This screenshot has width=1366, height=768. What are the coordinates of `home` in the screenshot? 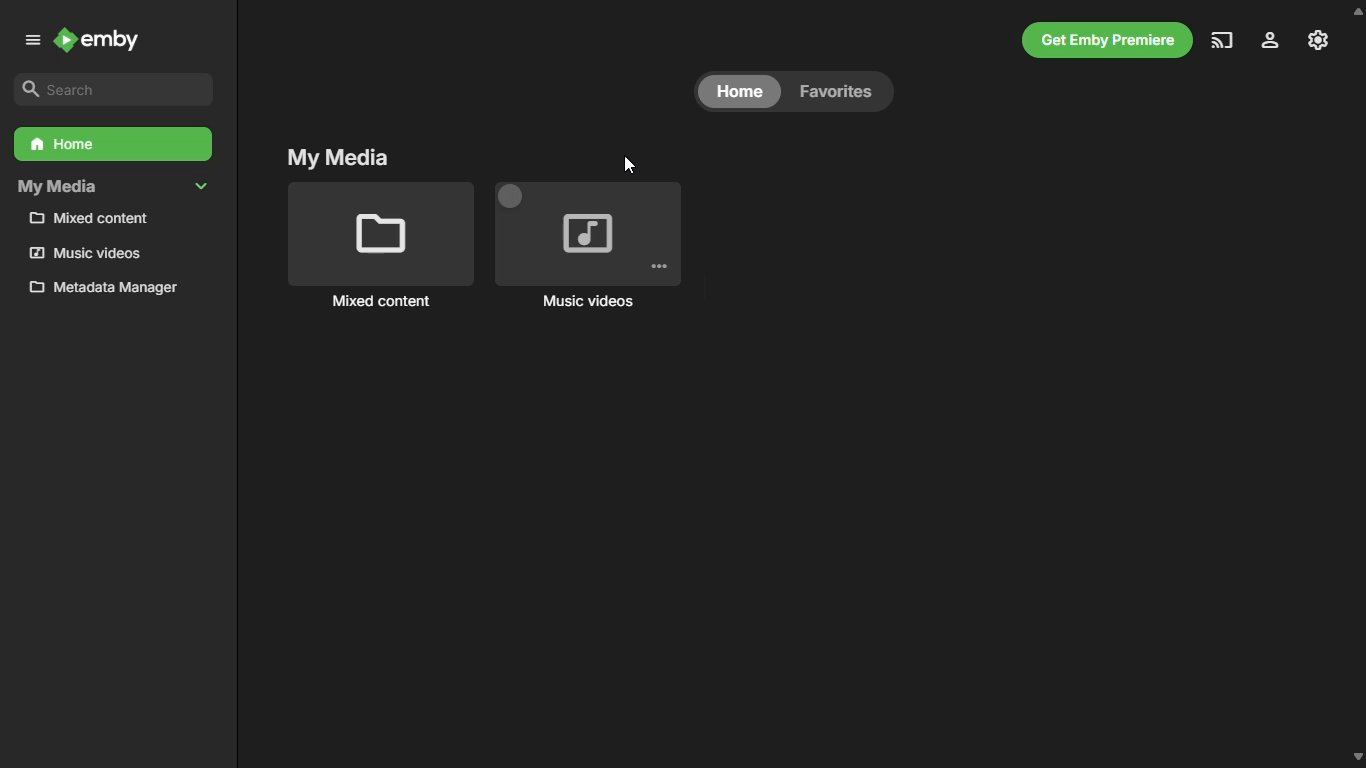 It's located at (739, 91).